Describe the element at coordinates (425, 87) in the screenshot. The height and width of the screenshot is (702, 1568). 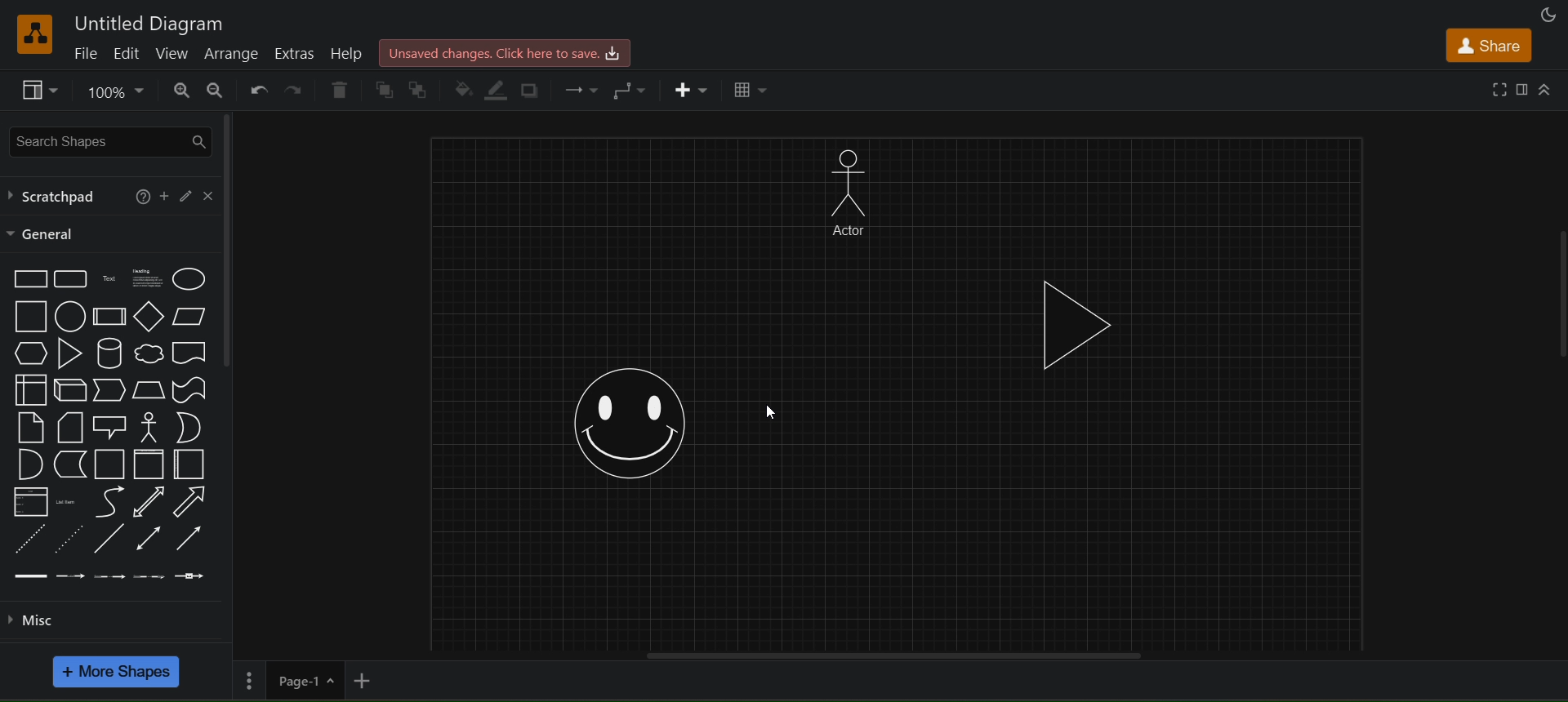
I see `to back` at that location.